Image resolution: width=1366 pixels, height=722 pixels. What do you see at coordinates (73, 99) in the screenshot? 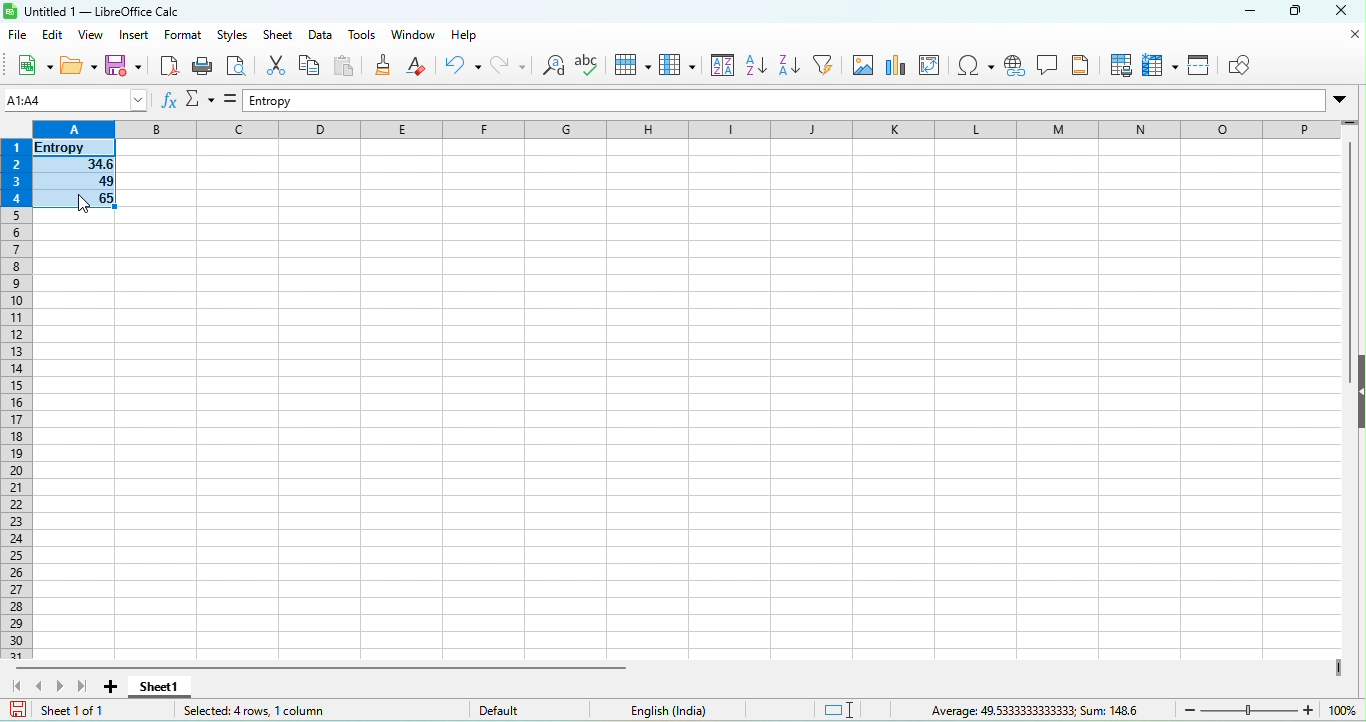
I see `name box (c8)` at bounding box center [73, 99].